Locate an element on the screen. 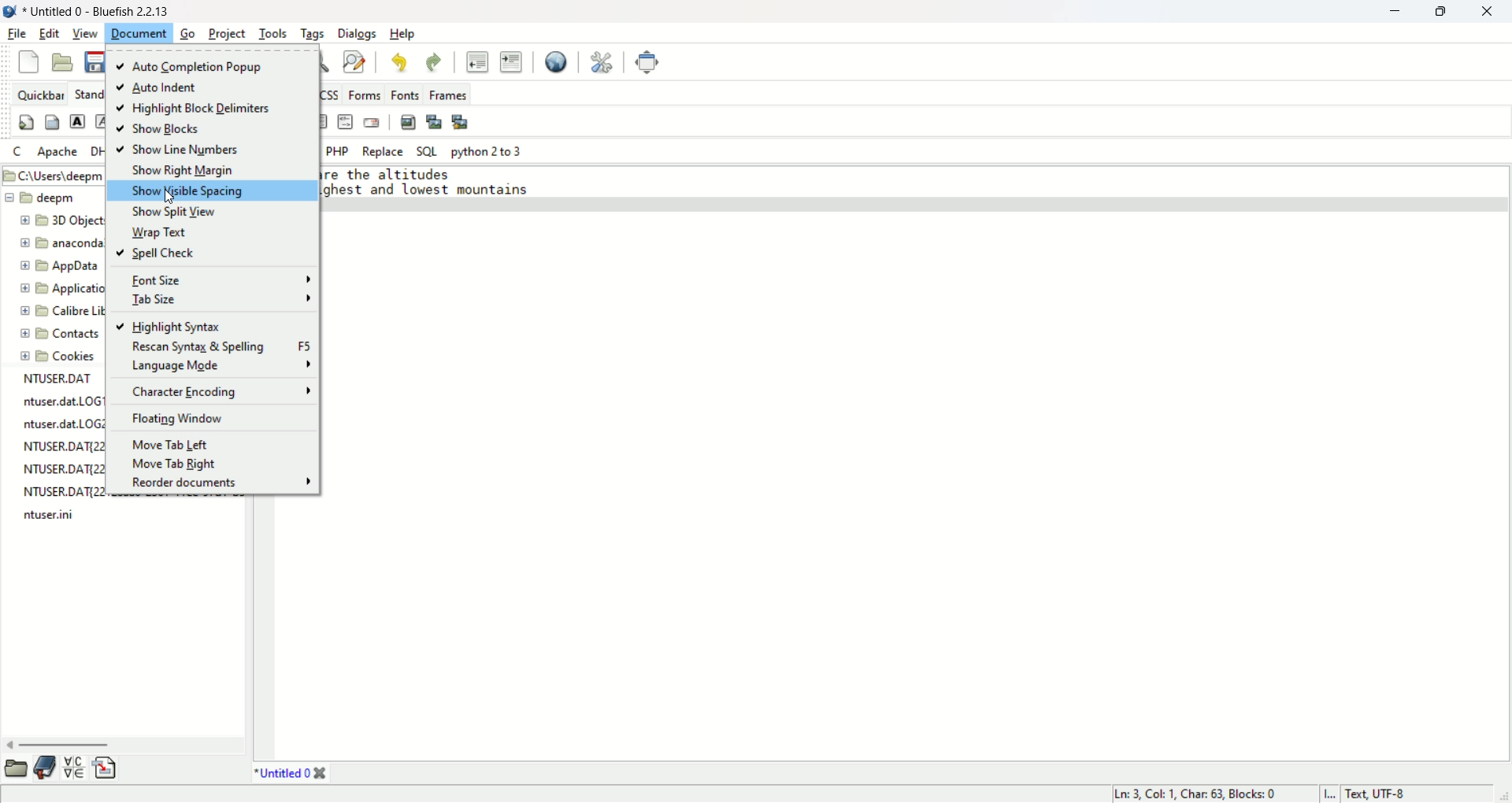  wrap text is located at coordinates (164, 233).